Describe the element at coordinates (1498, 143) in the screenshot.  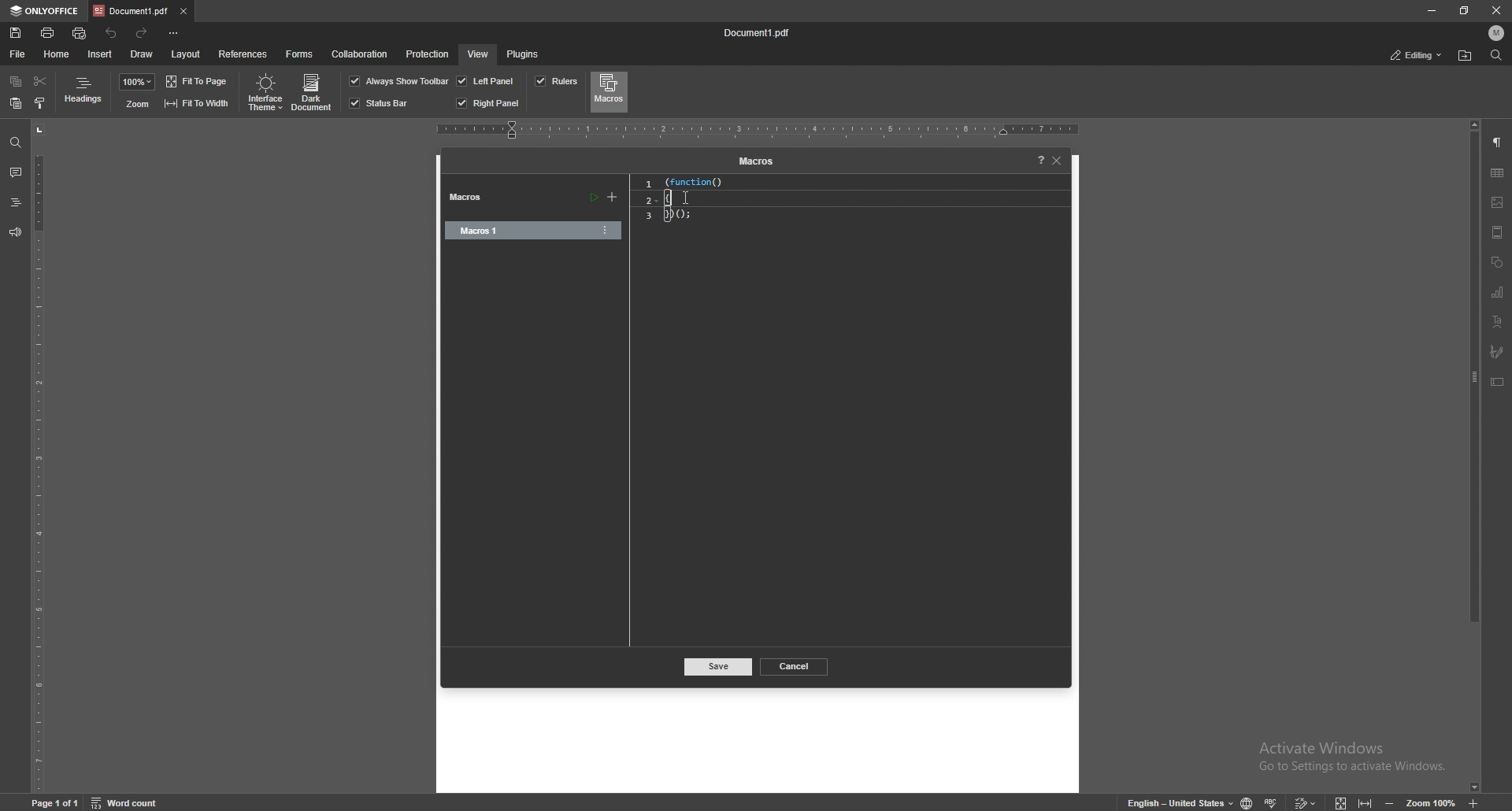
I see `paragraph` at that location.